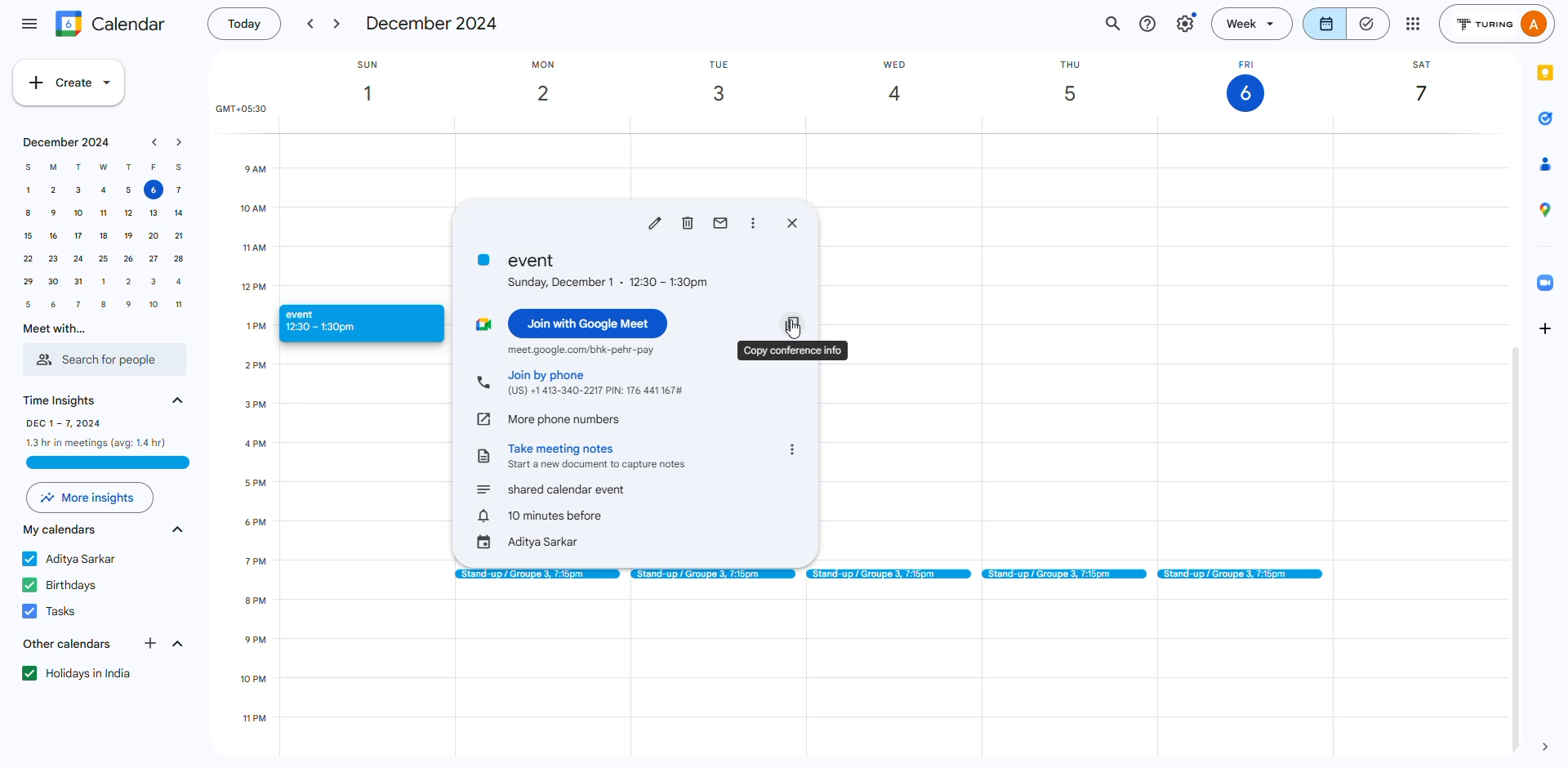 The height and width of the screenshot is (768, 1568). What do you see at coordinates (179, 303) in the screenshot?
I see `11` at bounding box center [179, 303].